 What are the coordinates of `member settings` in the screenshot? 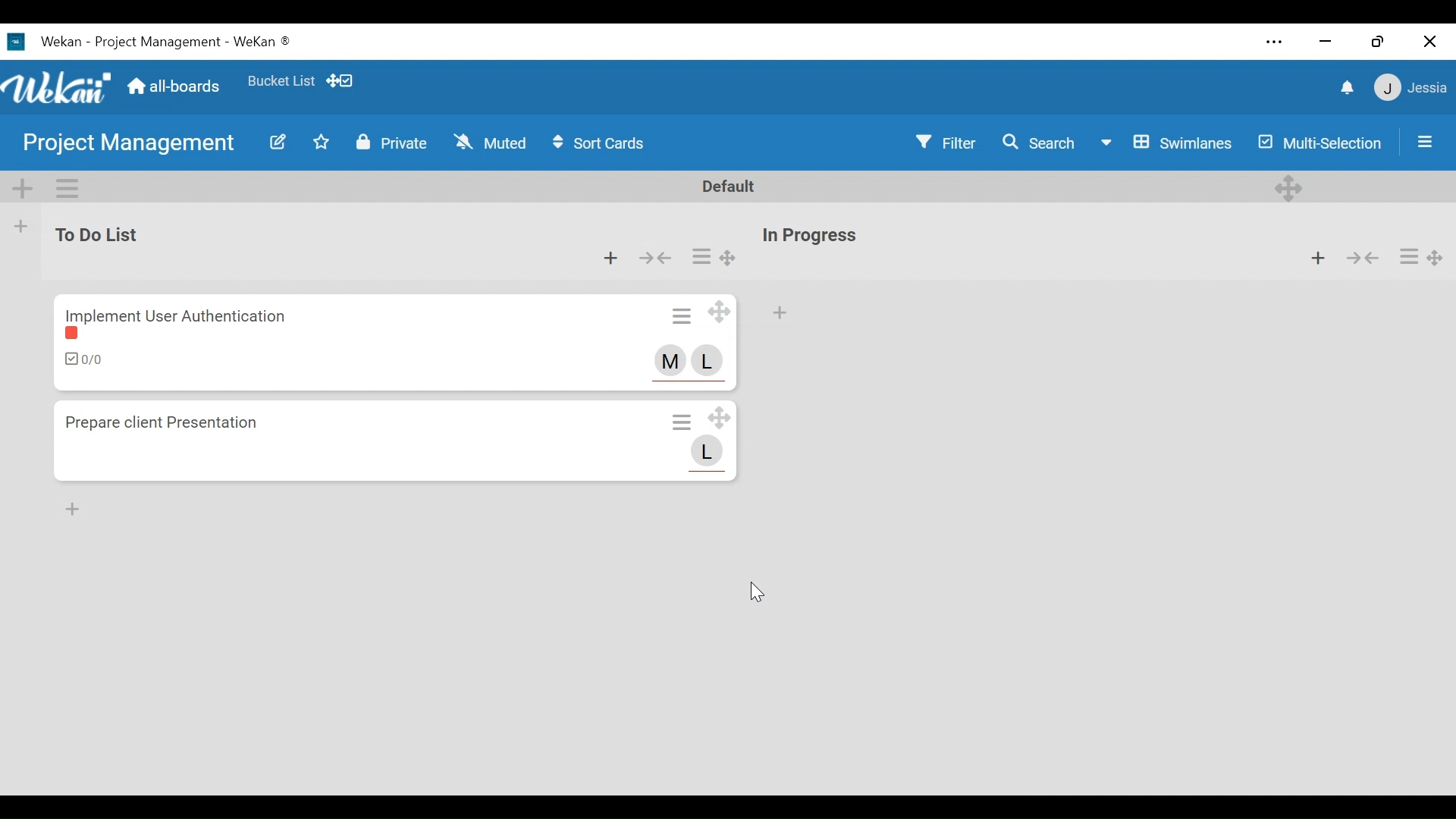 It's located at (1410, 85).